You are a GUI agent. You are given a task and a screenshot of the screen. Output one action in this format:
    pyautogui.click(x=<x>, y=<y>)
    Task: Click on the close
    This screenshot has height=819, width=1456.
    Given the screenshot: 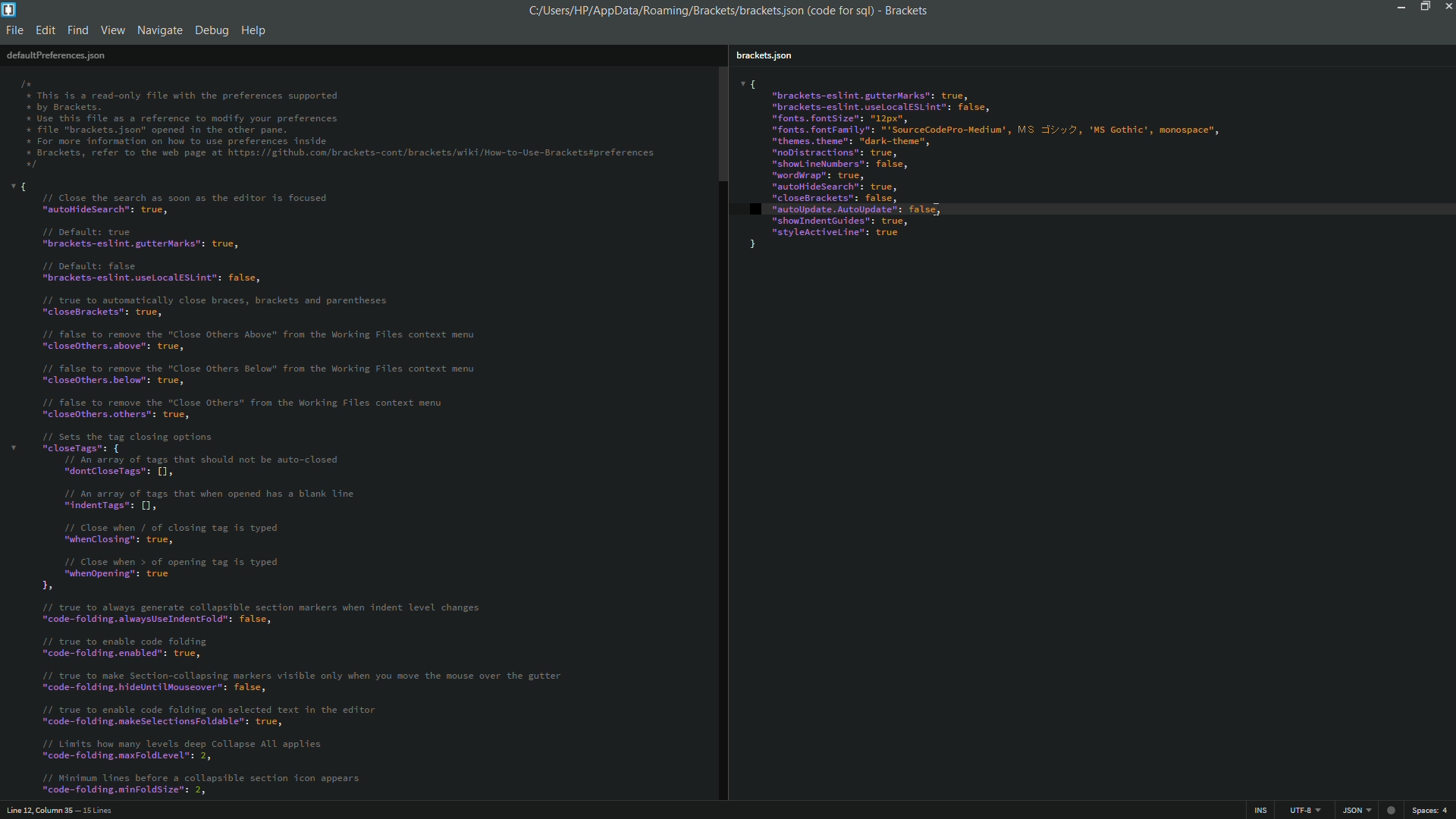 What is the action you would take?
    pyautogui.click(x=1446, y=9)
    